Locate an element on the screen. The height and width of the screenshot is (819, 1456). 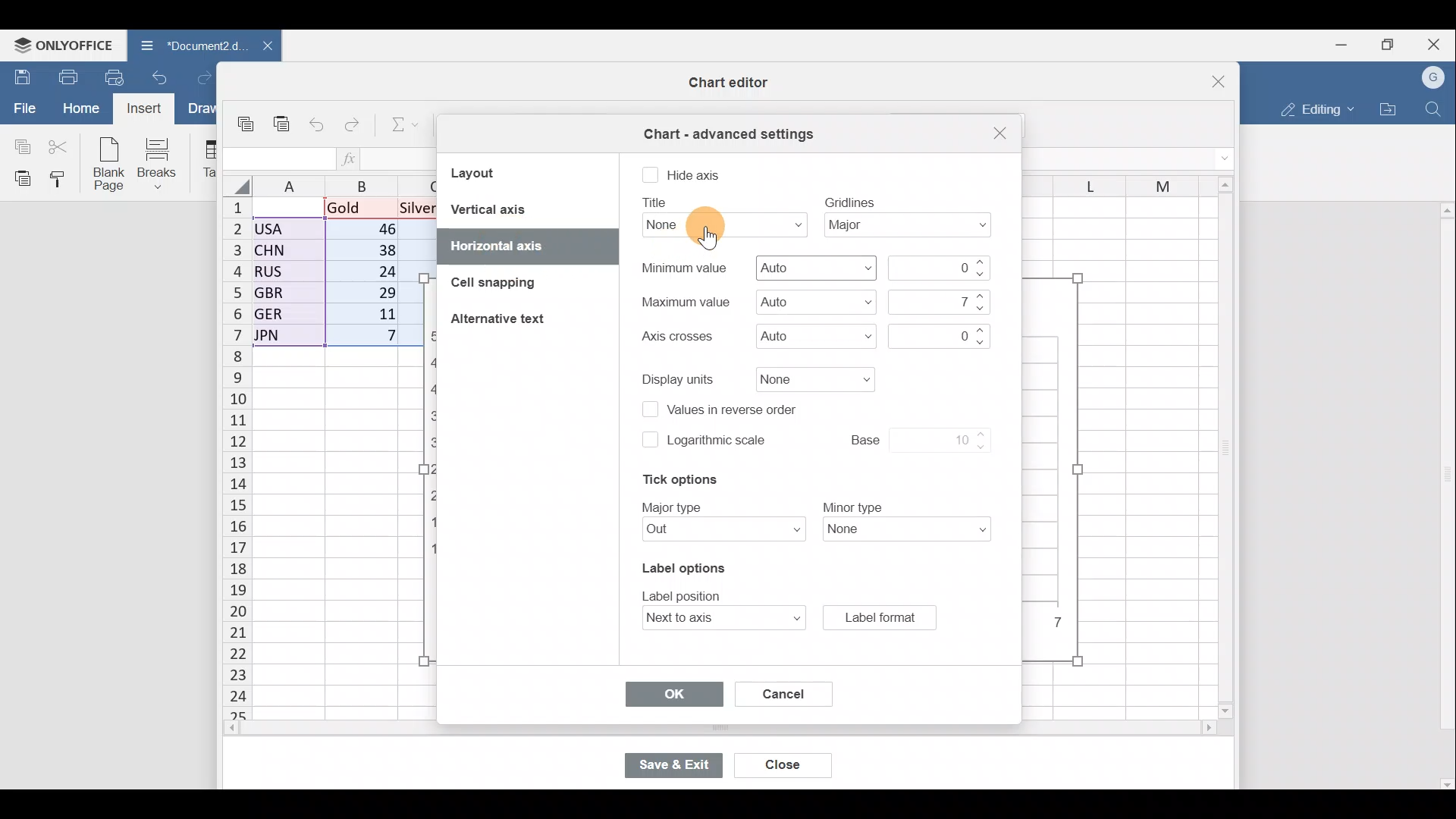
text is located at coordinates (853, 506).